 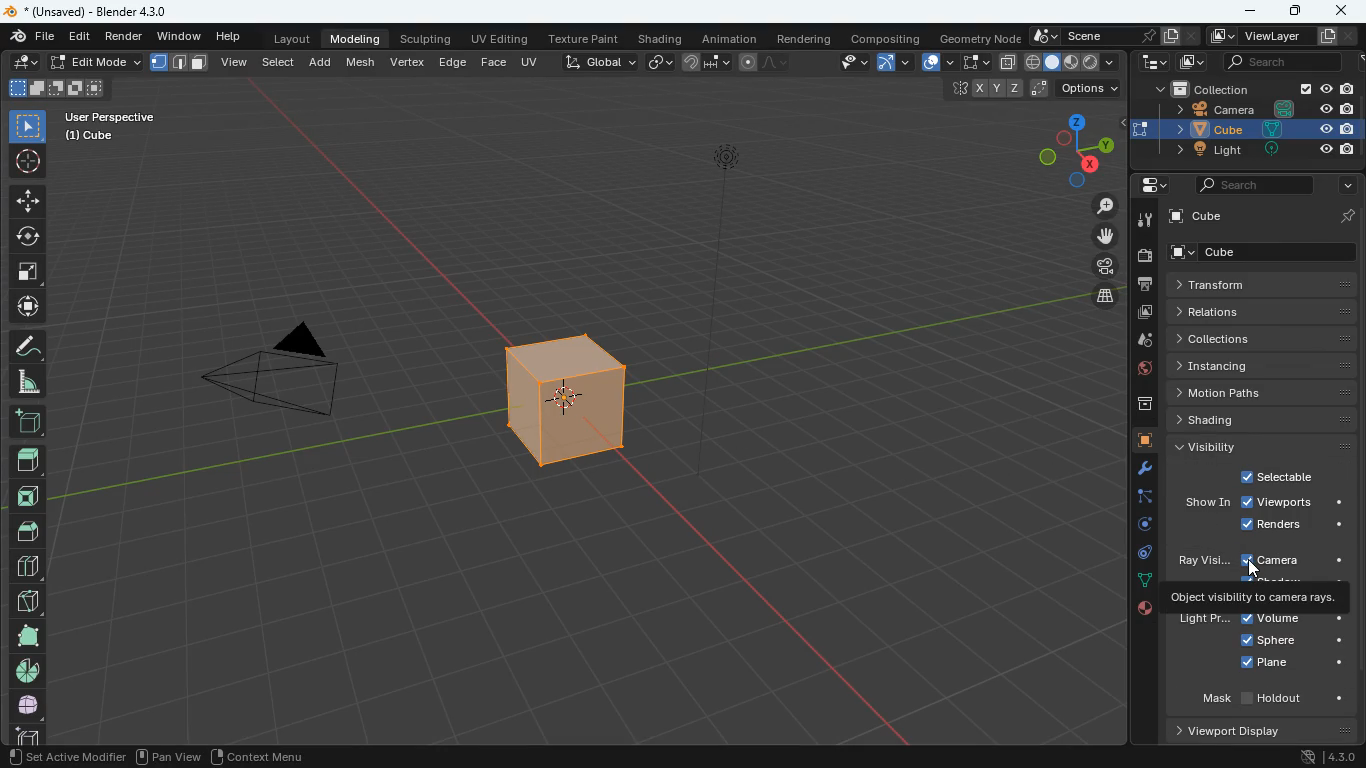 What do you see at coordinates (1137, 498) in the screenshot?
I see `edge` at bounding box center [1137, 498].